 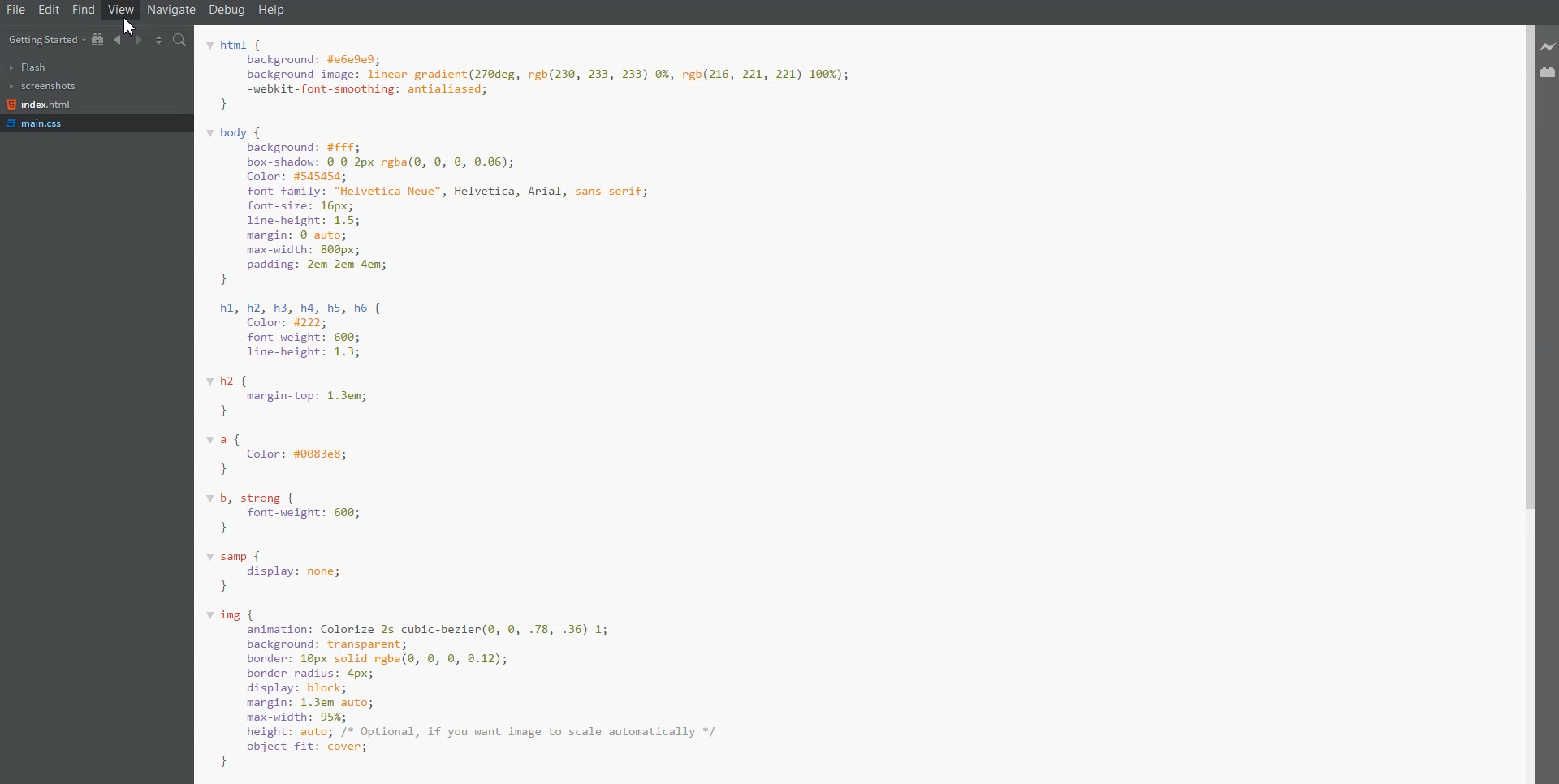 I want to click on find in files, so click(x=181, y=40).